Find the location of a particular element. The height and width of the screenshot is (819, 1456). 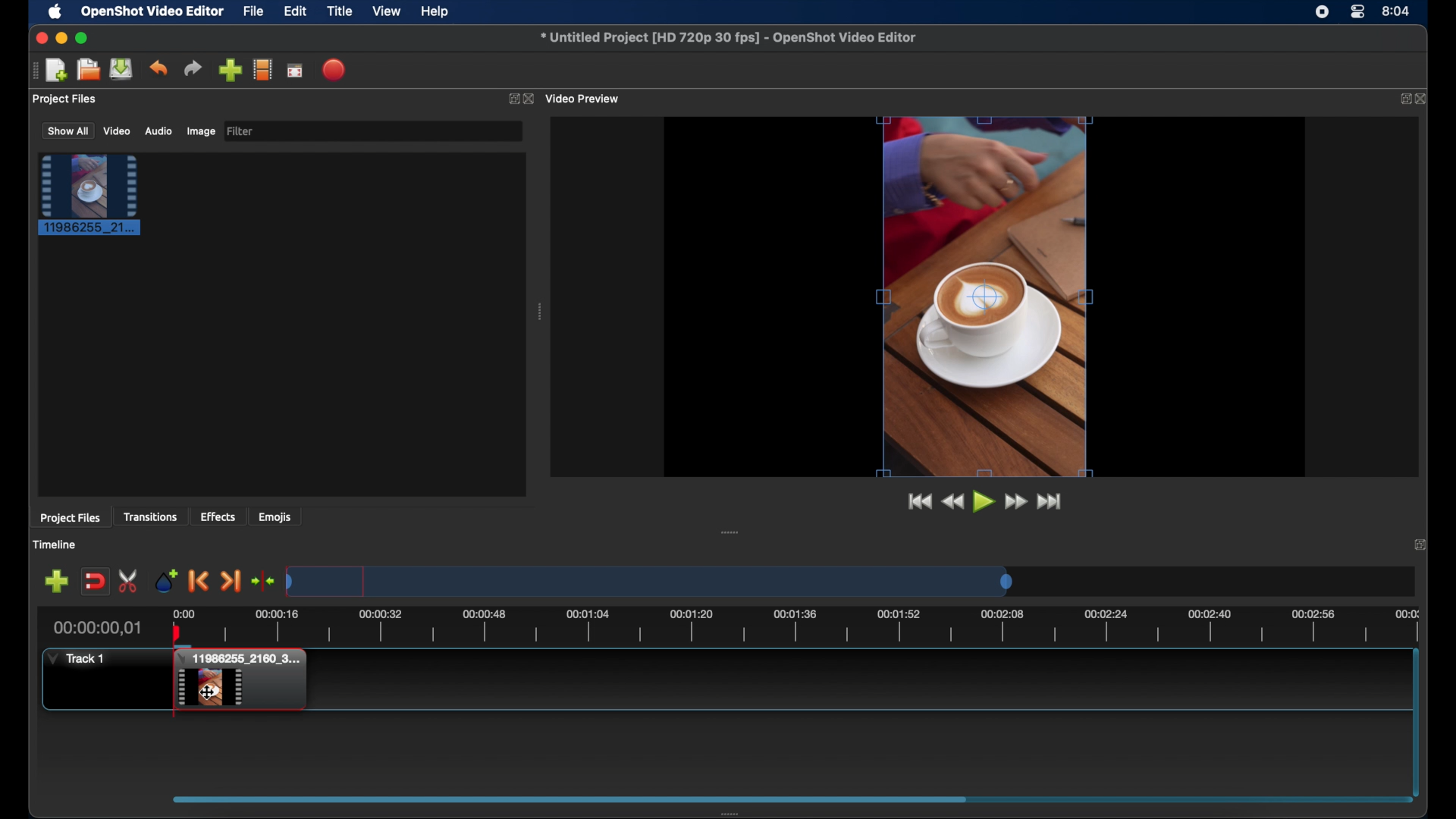

explore profiles is located at coordinates (262, 71).